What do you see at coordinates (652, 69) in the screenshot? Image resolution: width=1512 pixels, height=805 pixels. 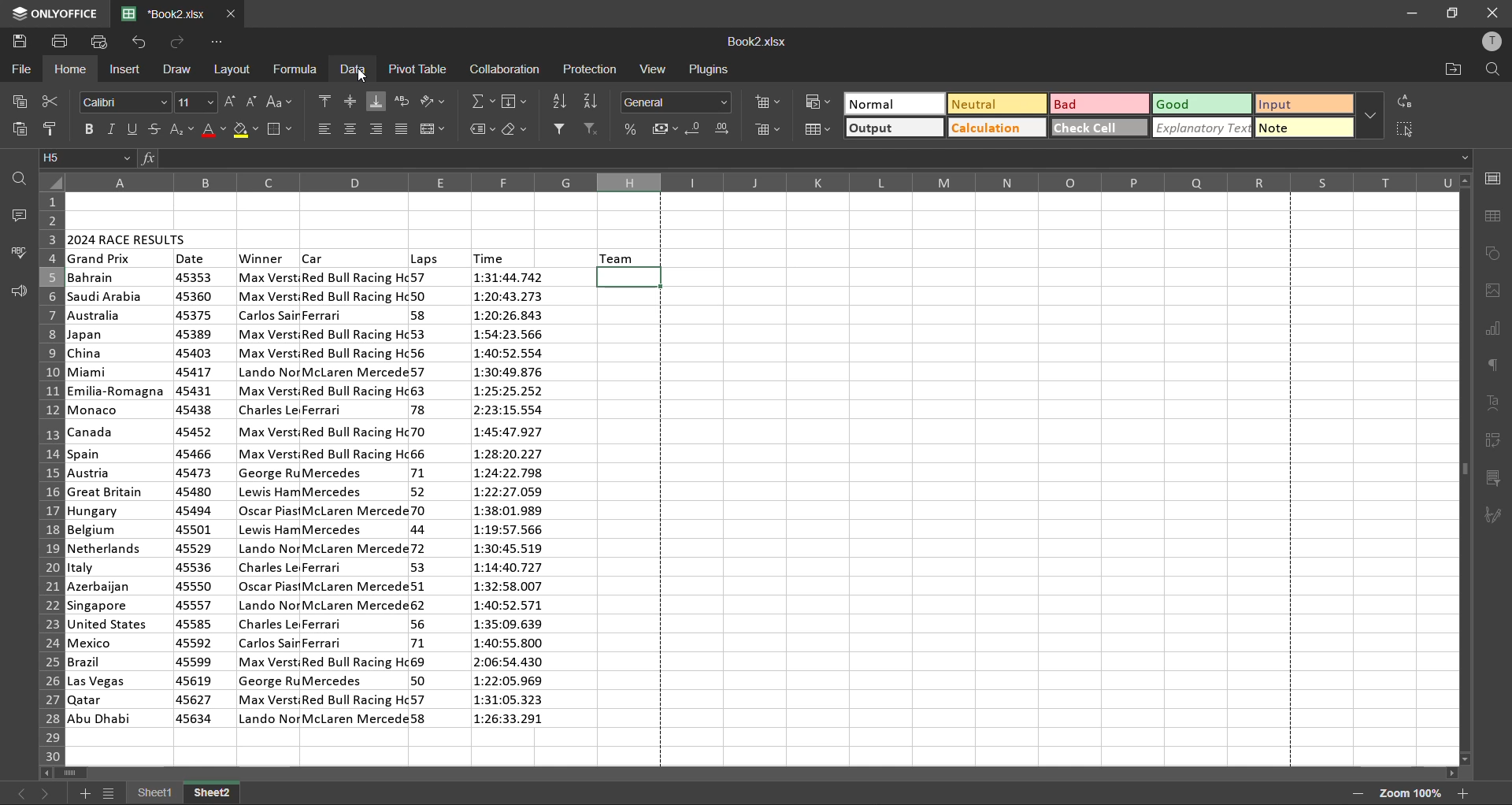 I see `view` at bounding box center [652, 69].